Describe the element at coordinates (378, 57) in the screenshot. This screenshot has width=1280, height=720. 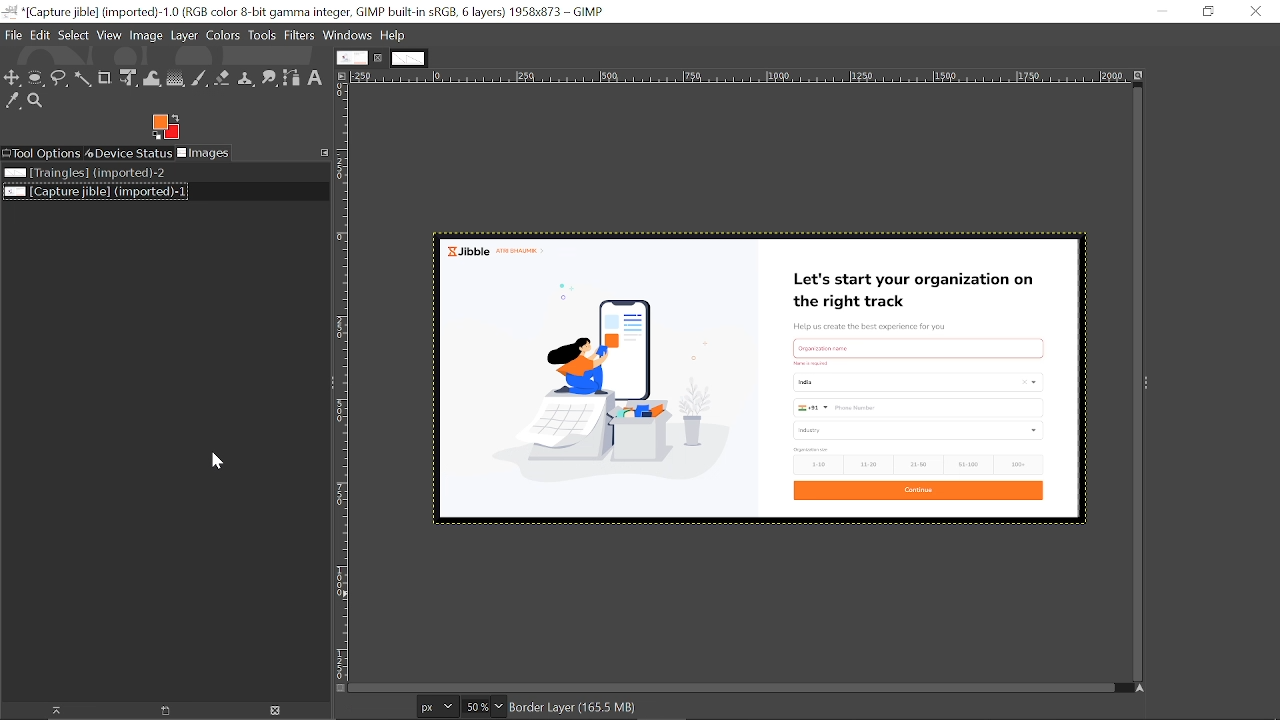
I see `Close current tab` at that location.